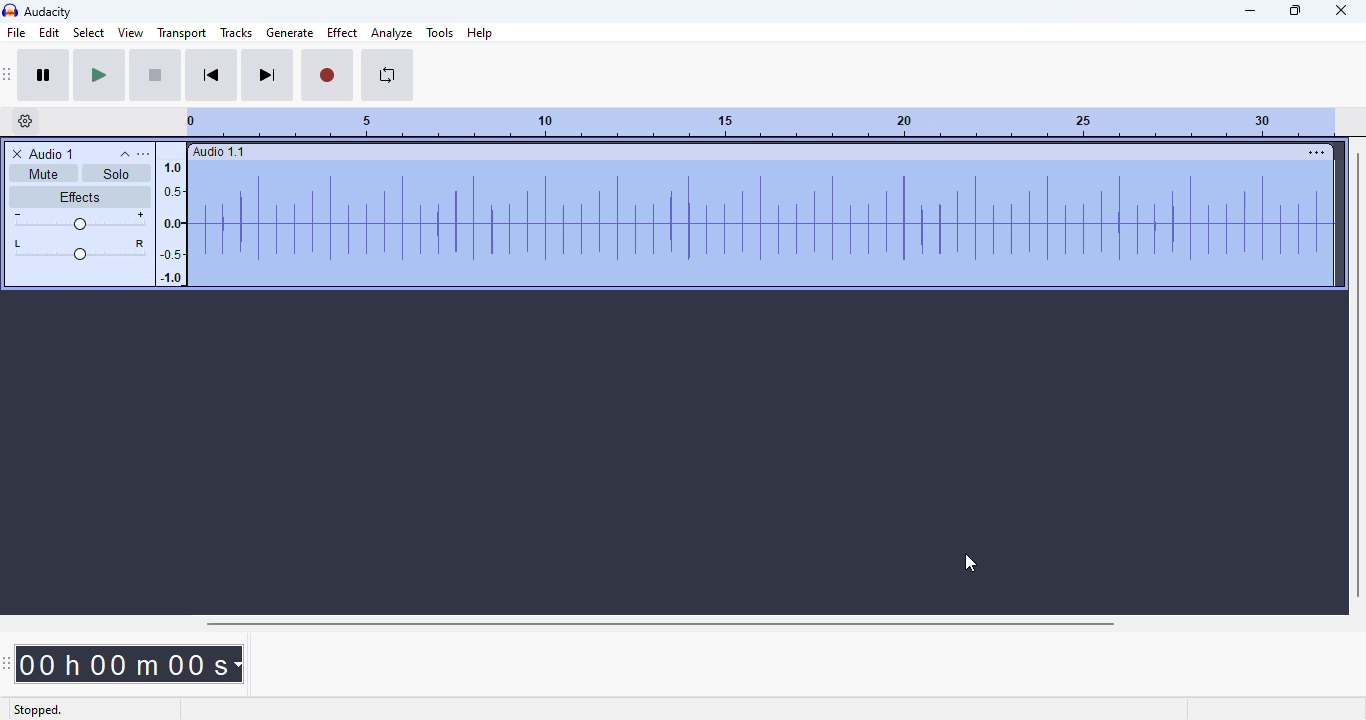 The image size is (1366, 720). I want to click on transport, so click(181, 33).